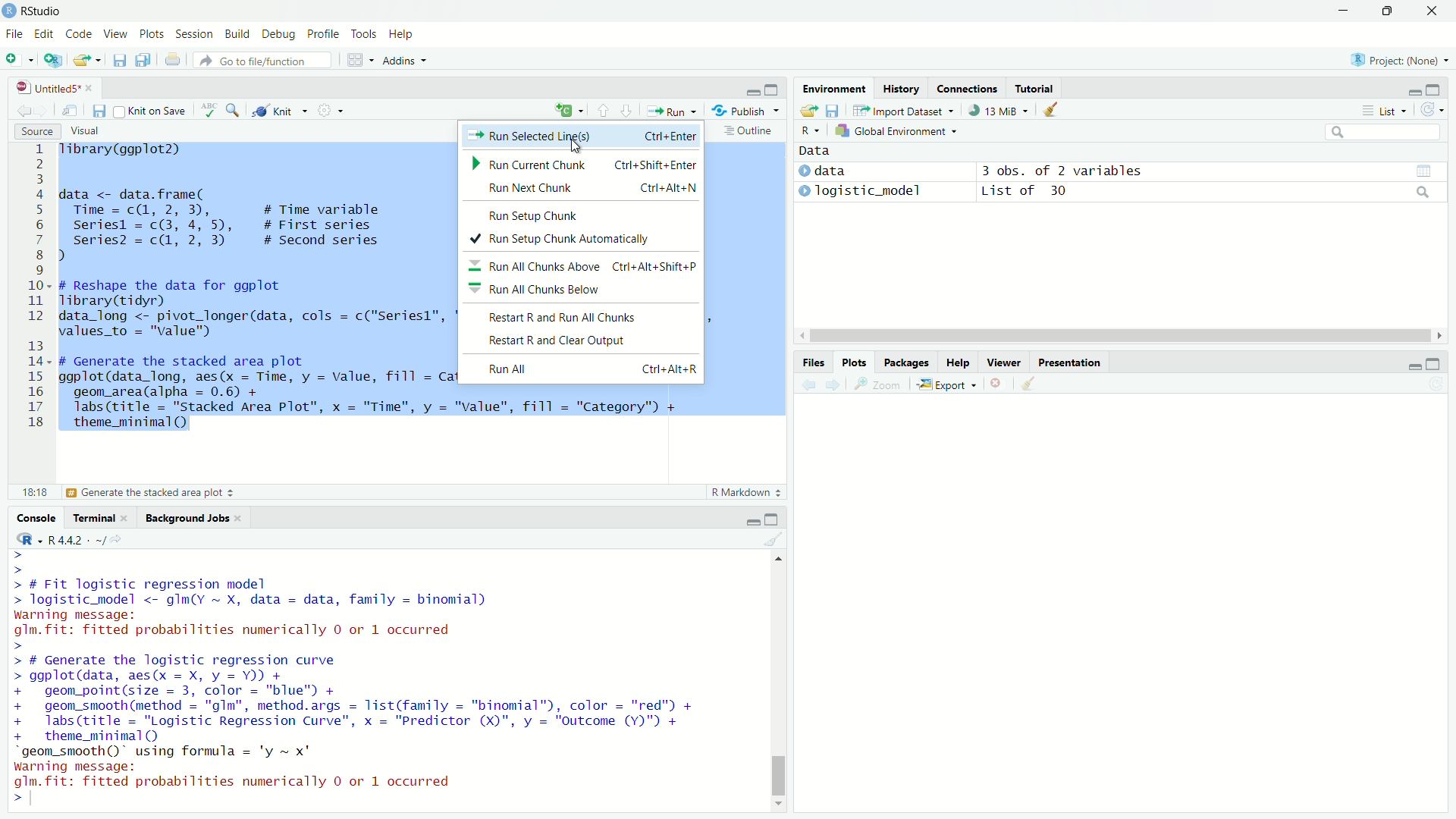  Describe the element at coordinates (808, 132) in the screenshot. I see `R~` at that location.